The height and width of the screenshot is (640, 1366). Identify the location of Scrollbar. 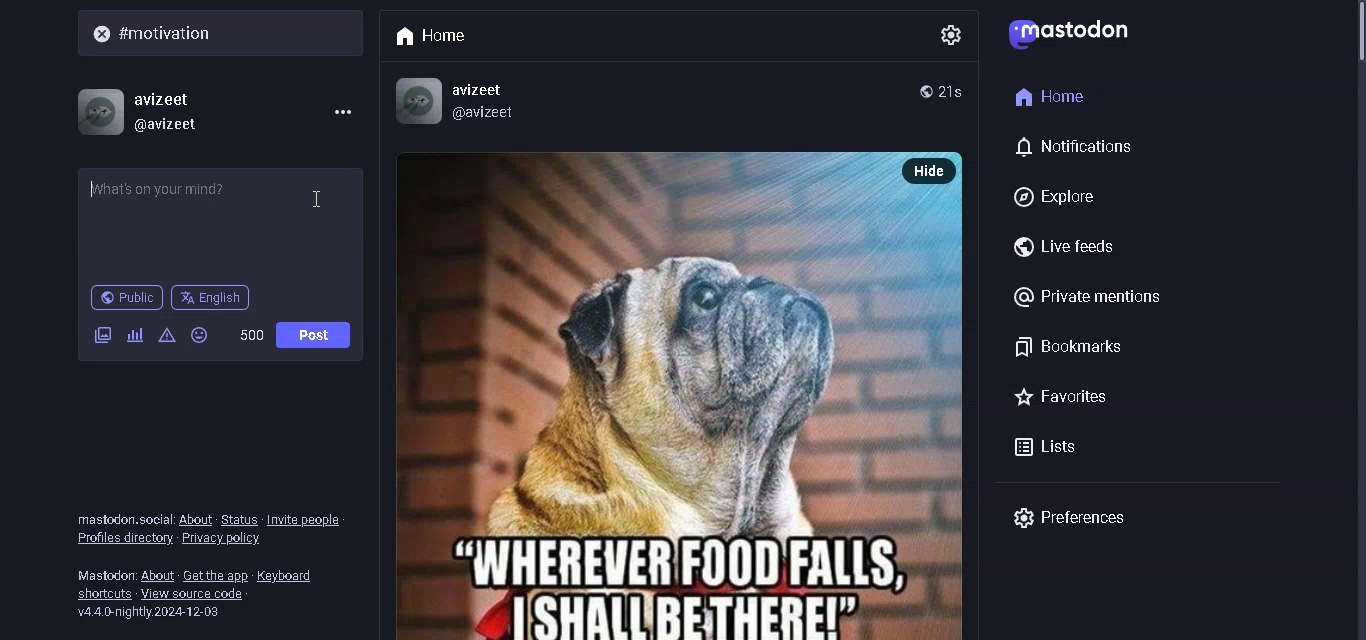
(1353, 96).